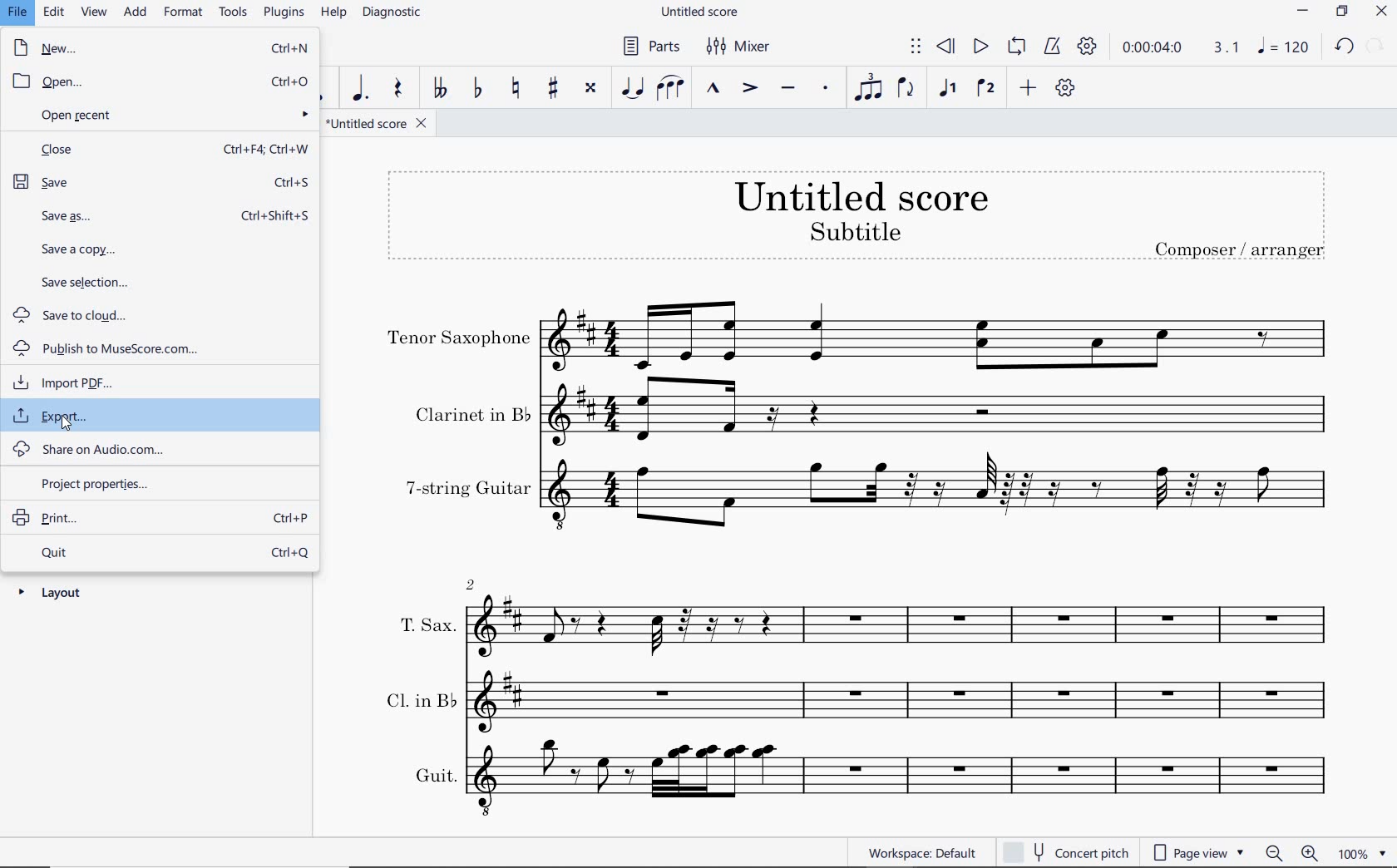  What do you see at coordinates (234, 13) in the screenshot?
I see `TOOLS` at bounding box center [234, 13].